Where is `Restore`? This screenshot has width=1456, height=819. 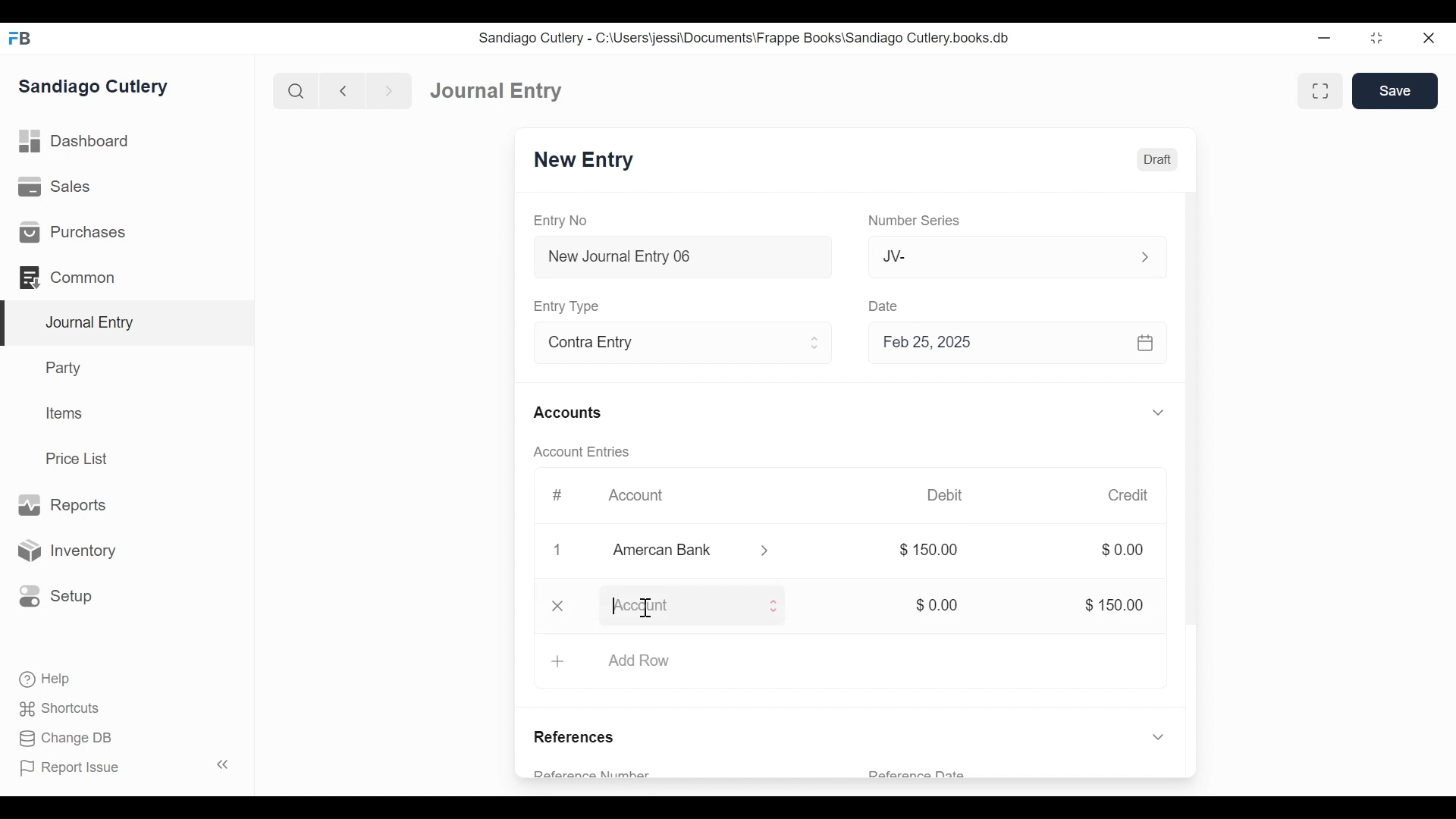 Restore is located at coordinates (1379, 37).